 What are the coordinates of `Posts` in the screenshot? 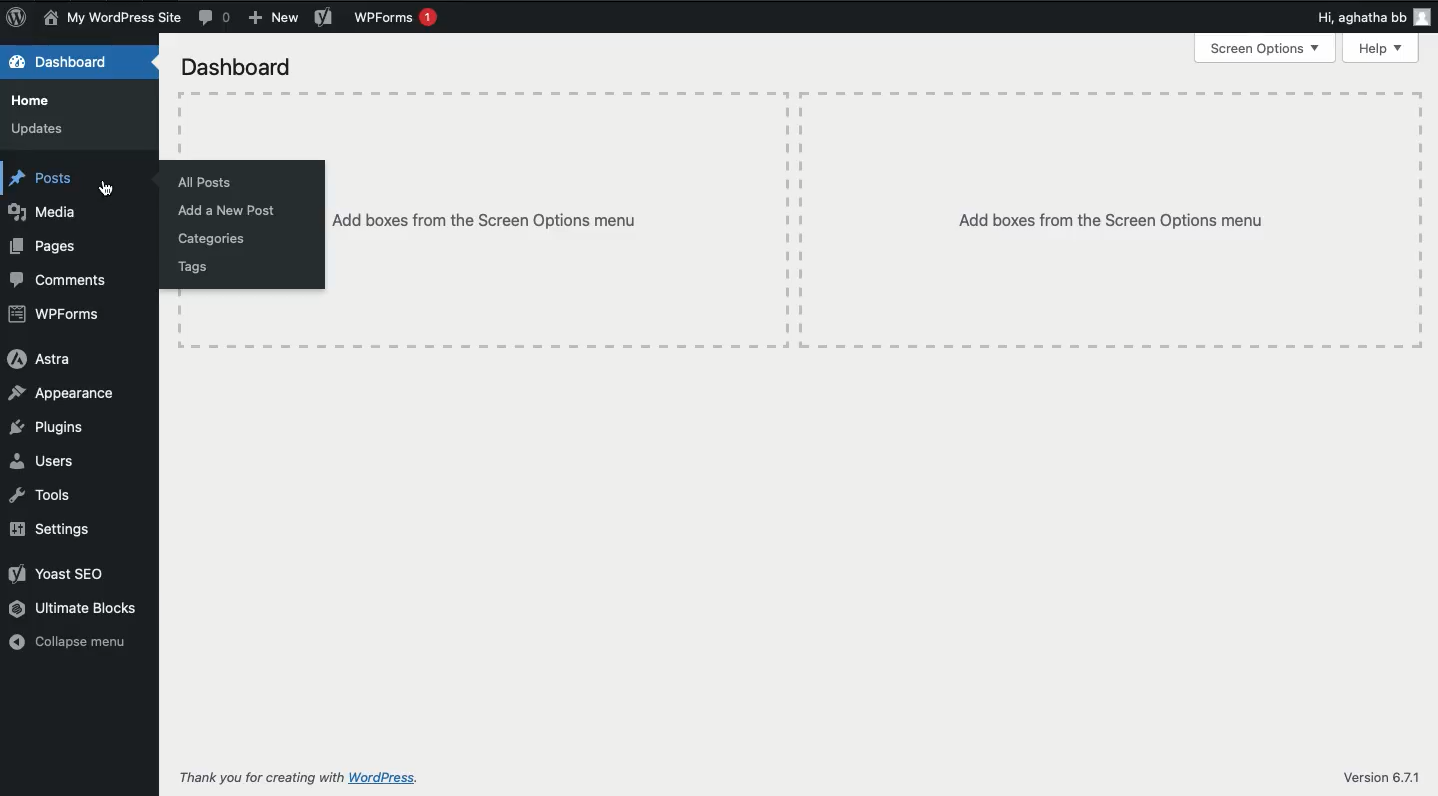 It's located at (45, 179).